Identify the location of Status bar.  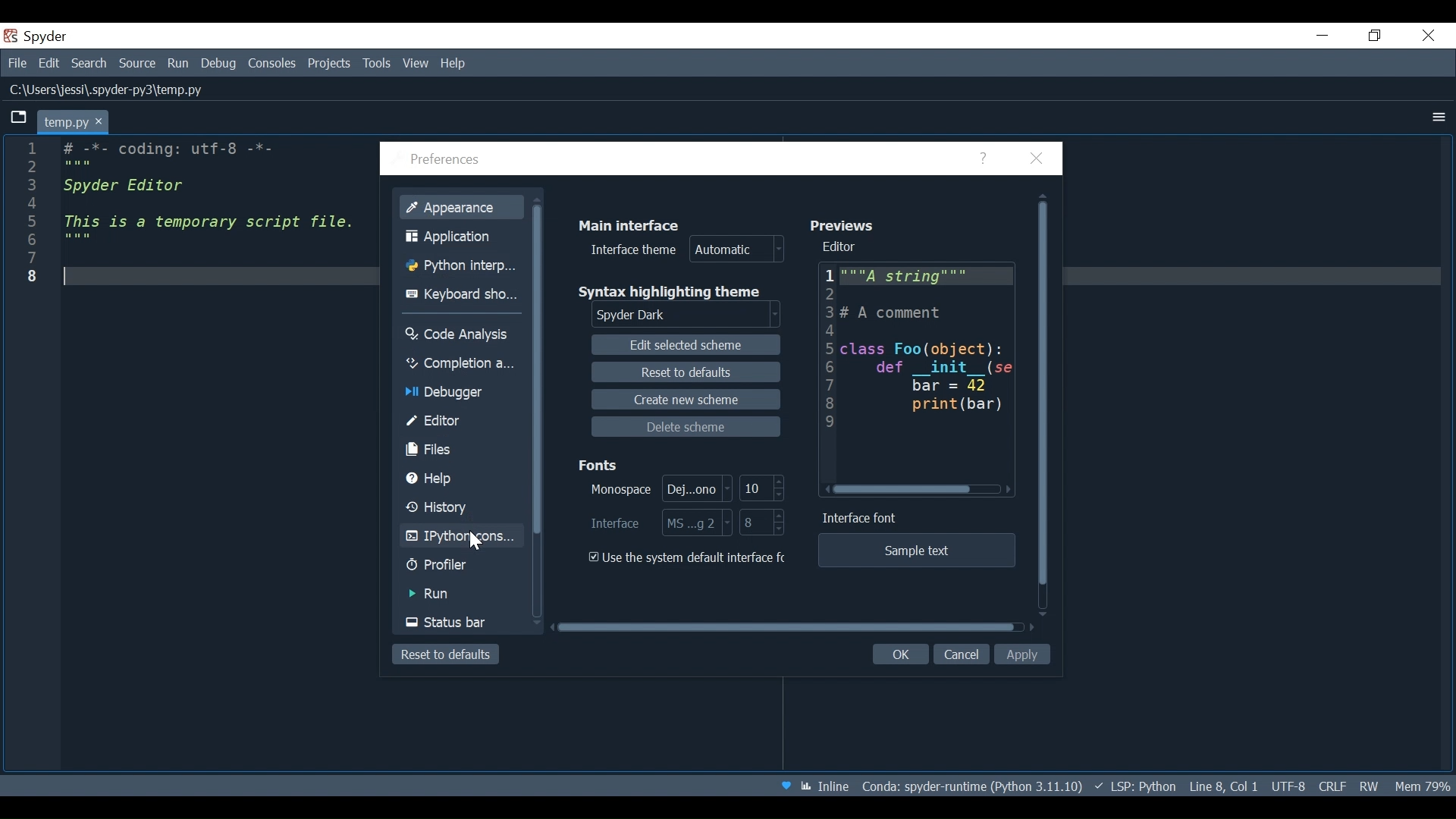
(458, 623).